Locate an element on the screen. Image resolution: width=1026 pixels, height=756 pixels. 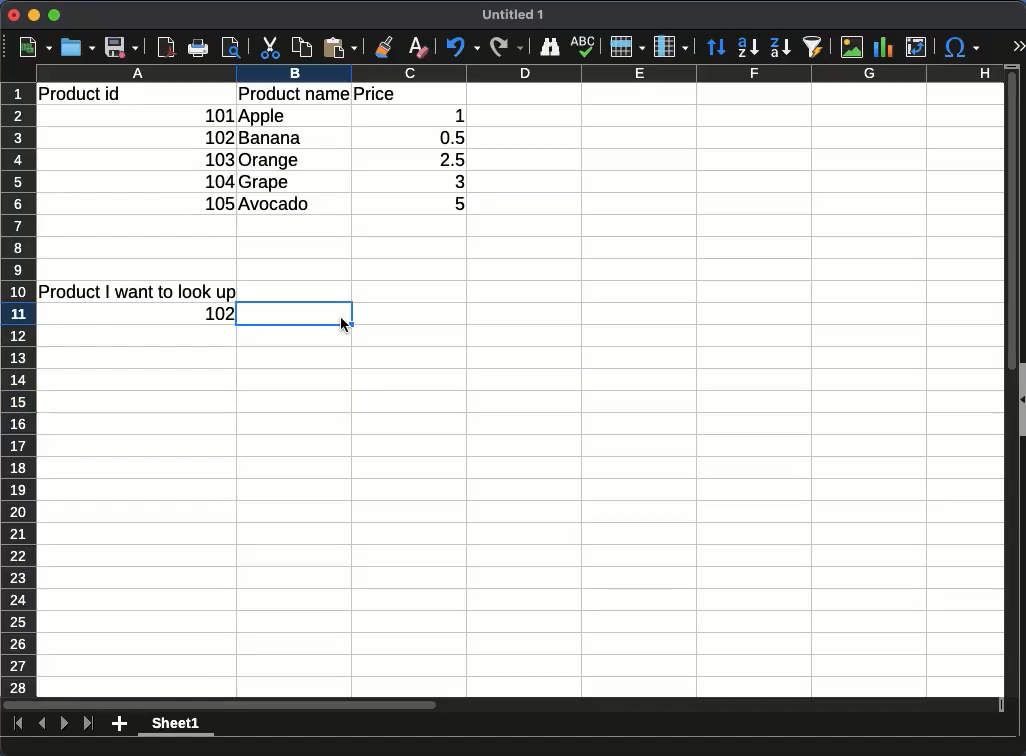
image is located at coordinates (852, 47).